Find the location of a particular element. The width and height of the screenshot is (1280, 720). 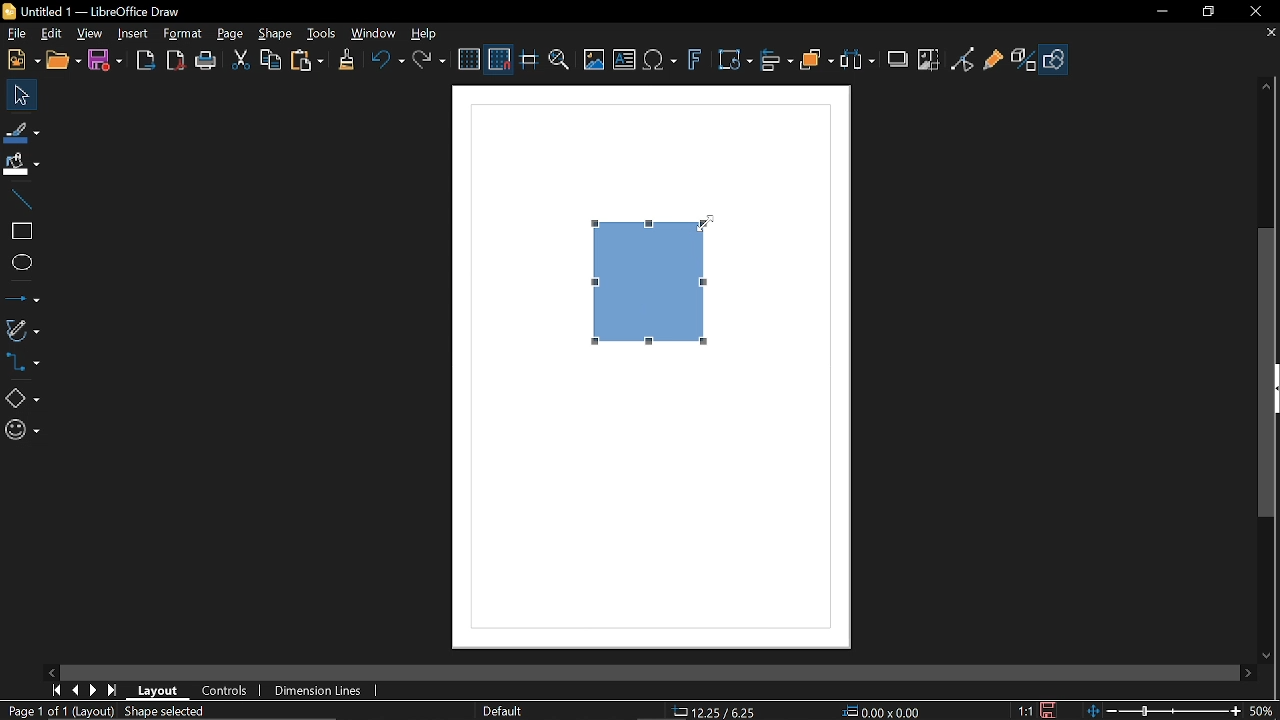

Fill color is located at coordinates (22, 164).